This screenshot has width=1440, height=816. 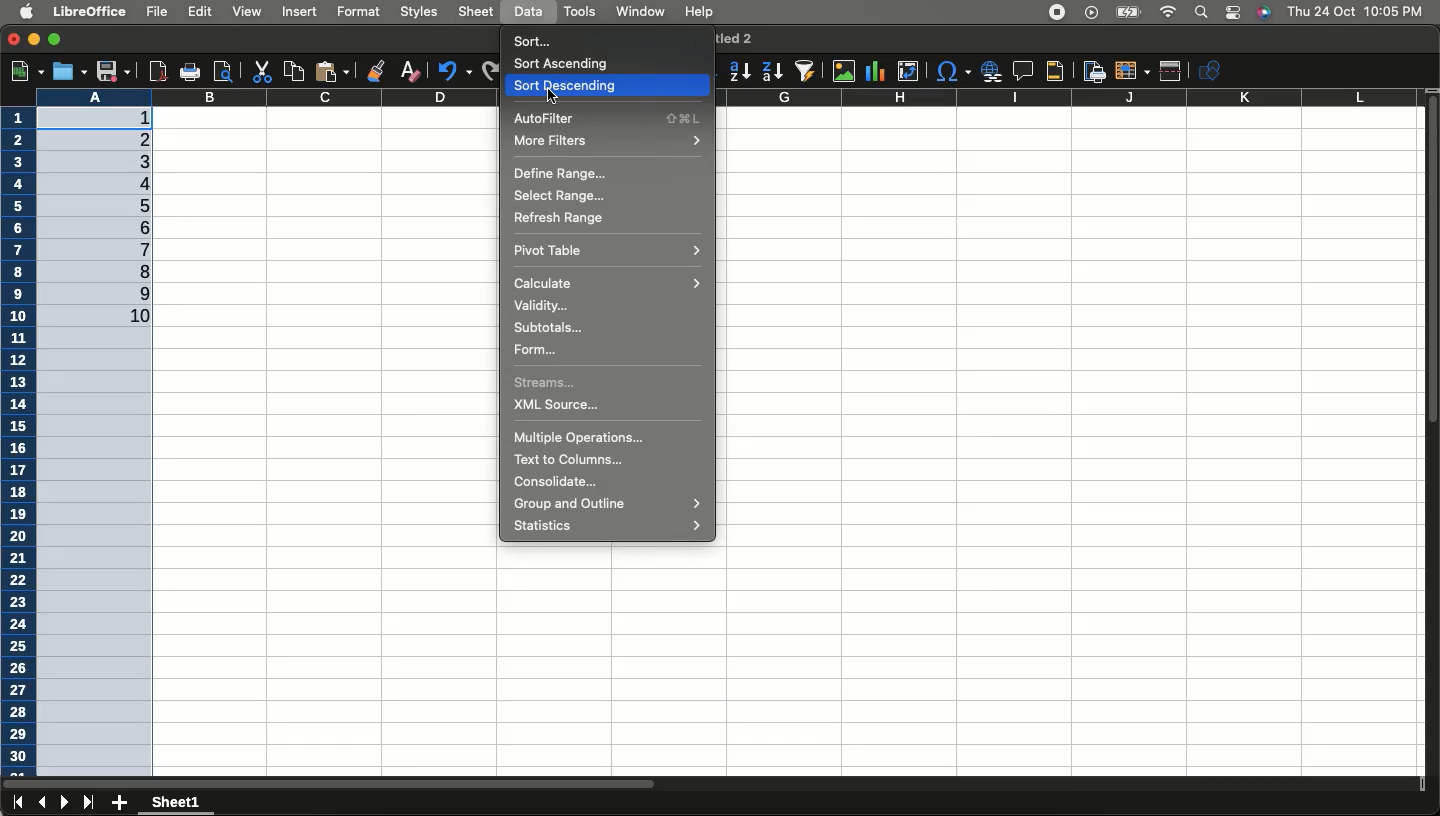 I want to click on Previous sheet, so click(x=42, y=804).